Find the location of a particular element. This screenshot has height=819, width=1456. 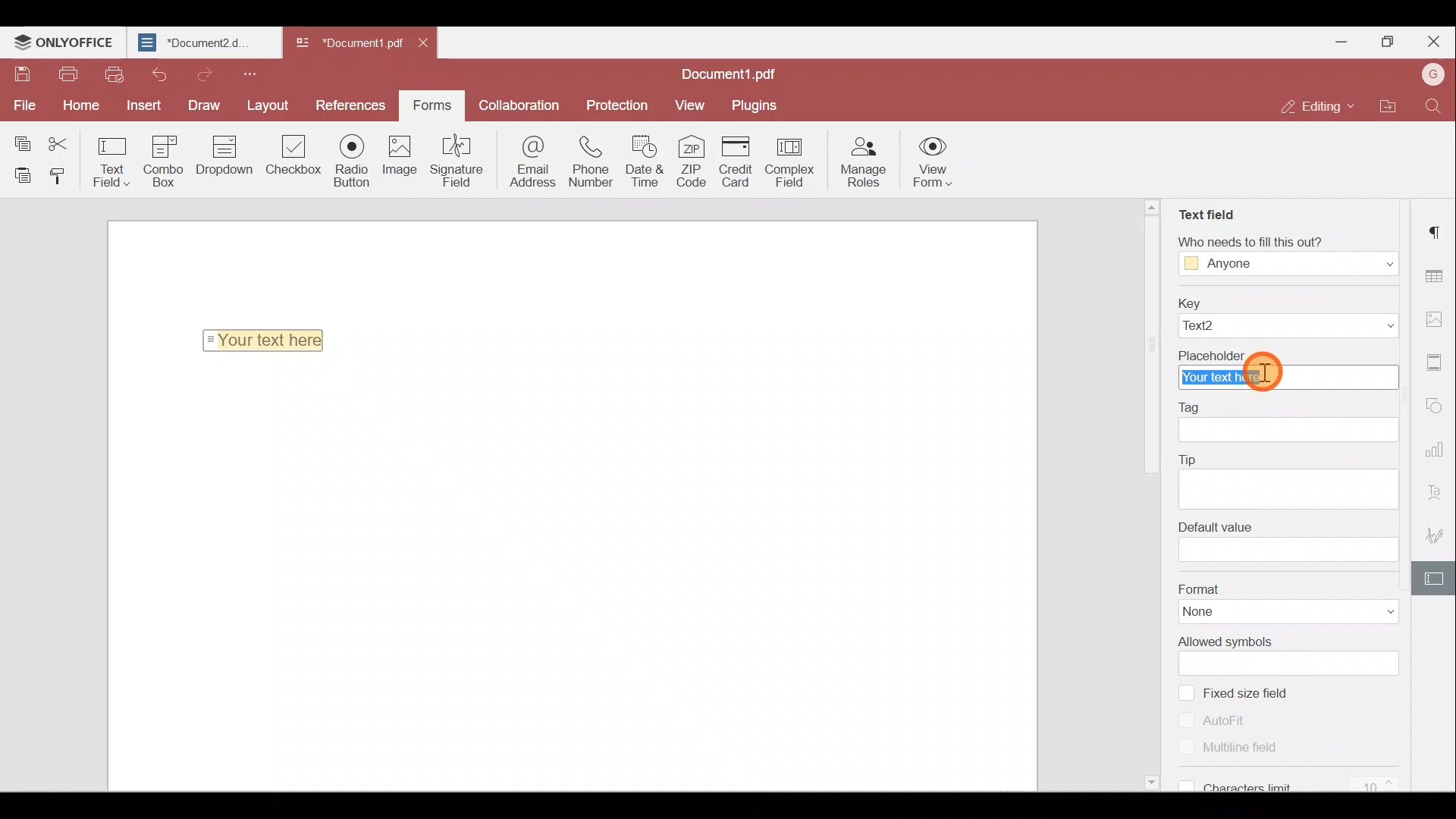

Cursor on placeholder is located at coordinates (1269, 376).